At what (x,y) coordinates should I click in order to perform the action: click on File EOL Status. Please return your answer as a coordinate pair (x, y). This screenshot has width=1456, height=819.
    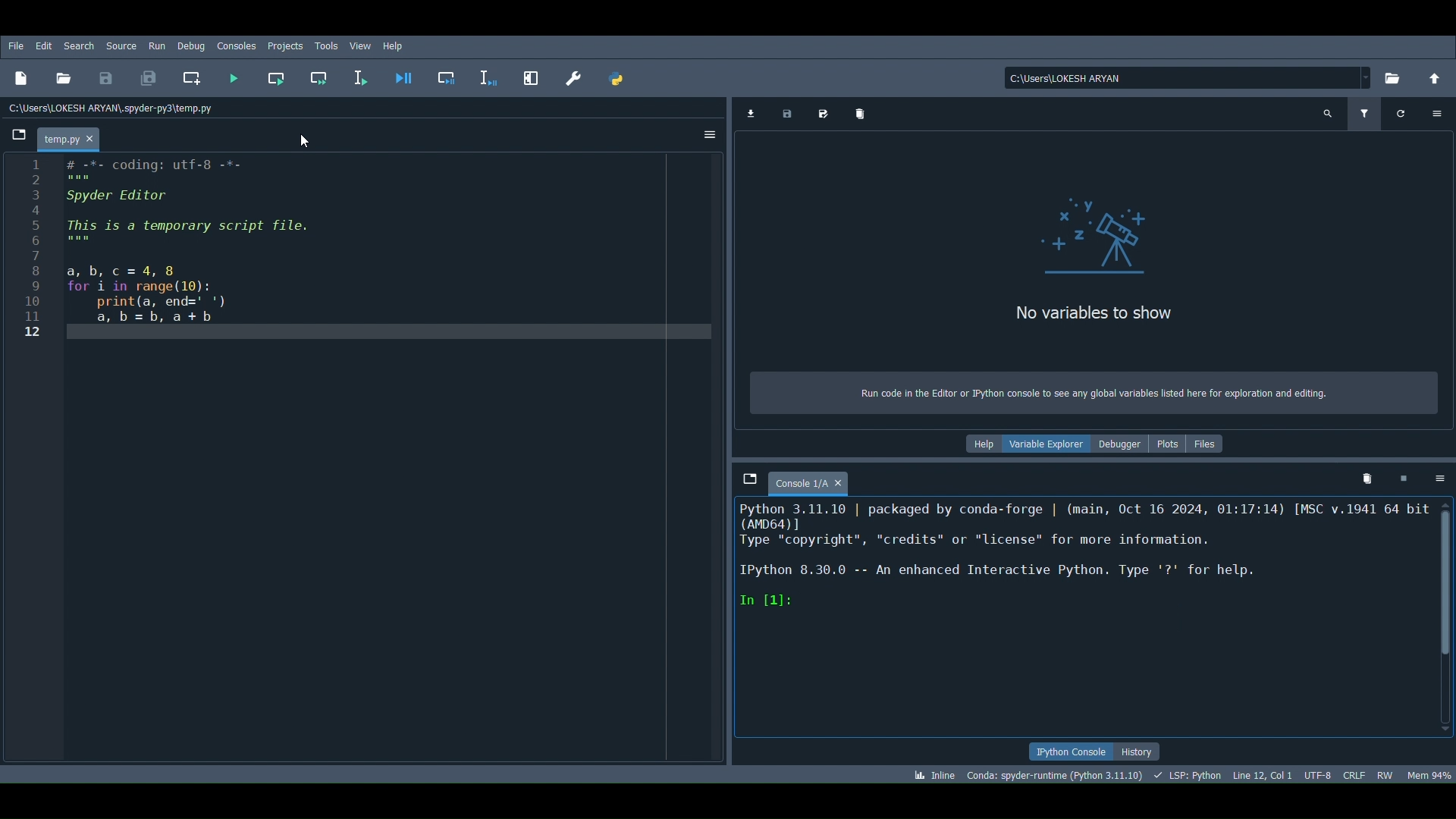
    Looking at the image, I should click on (1354, 774).